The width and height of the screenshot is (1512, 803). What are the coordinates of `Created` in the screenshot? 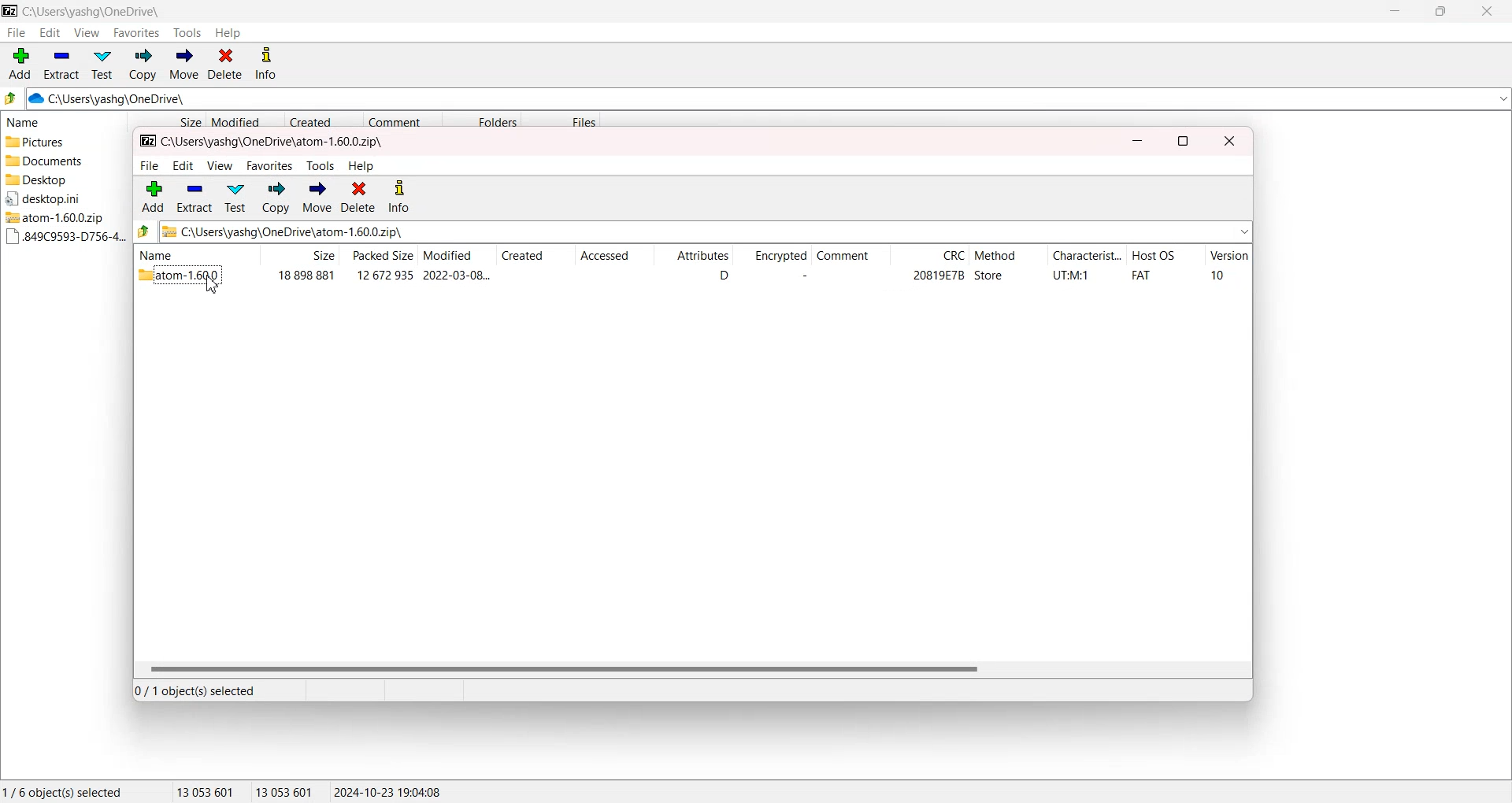 It's located at (535, 257).